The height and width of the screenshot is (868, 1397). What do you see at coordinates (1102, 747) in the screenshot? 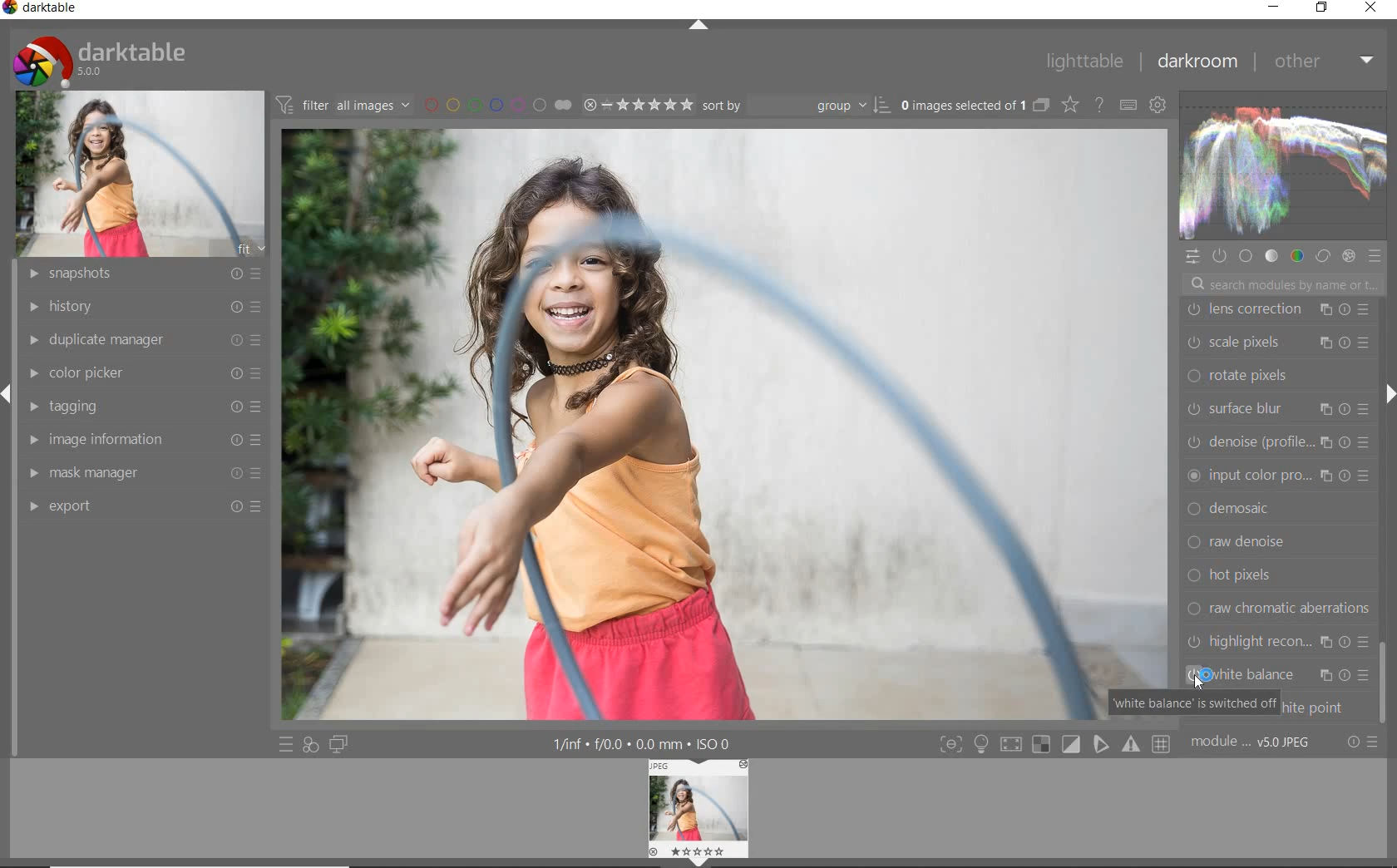
I see `toggle mode ` at bounding box center [1102, 747].